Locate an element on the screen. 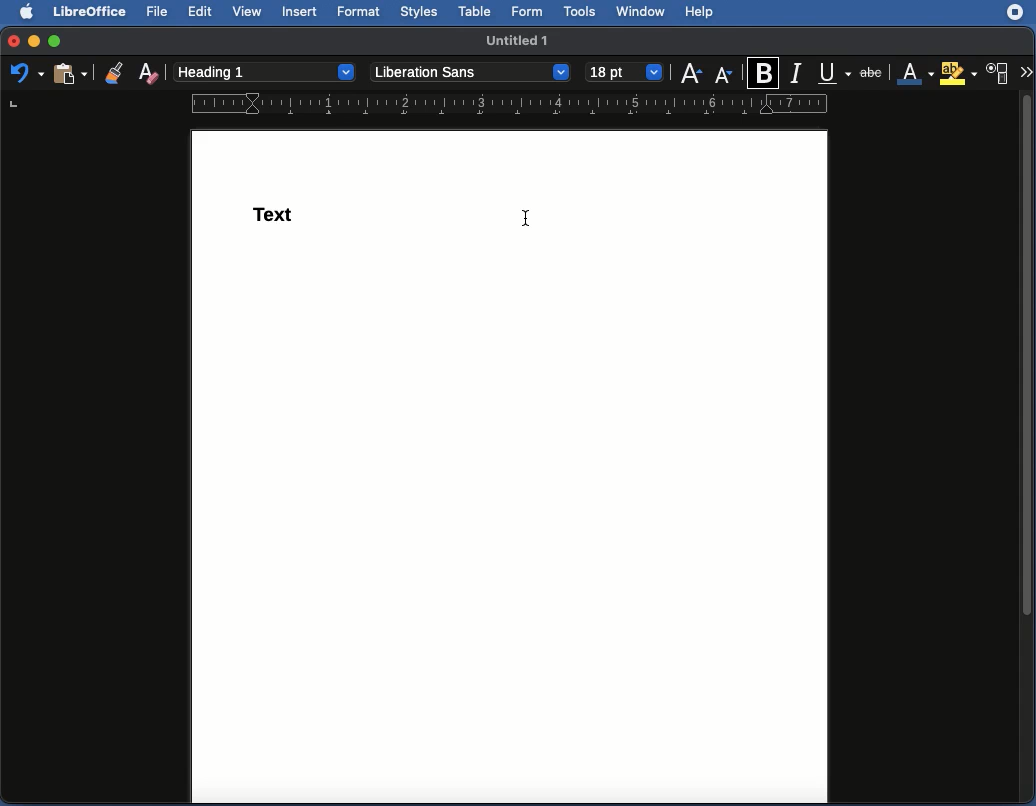  cursor is located at coordinates (526, 218).